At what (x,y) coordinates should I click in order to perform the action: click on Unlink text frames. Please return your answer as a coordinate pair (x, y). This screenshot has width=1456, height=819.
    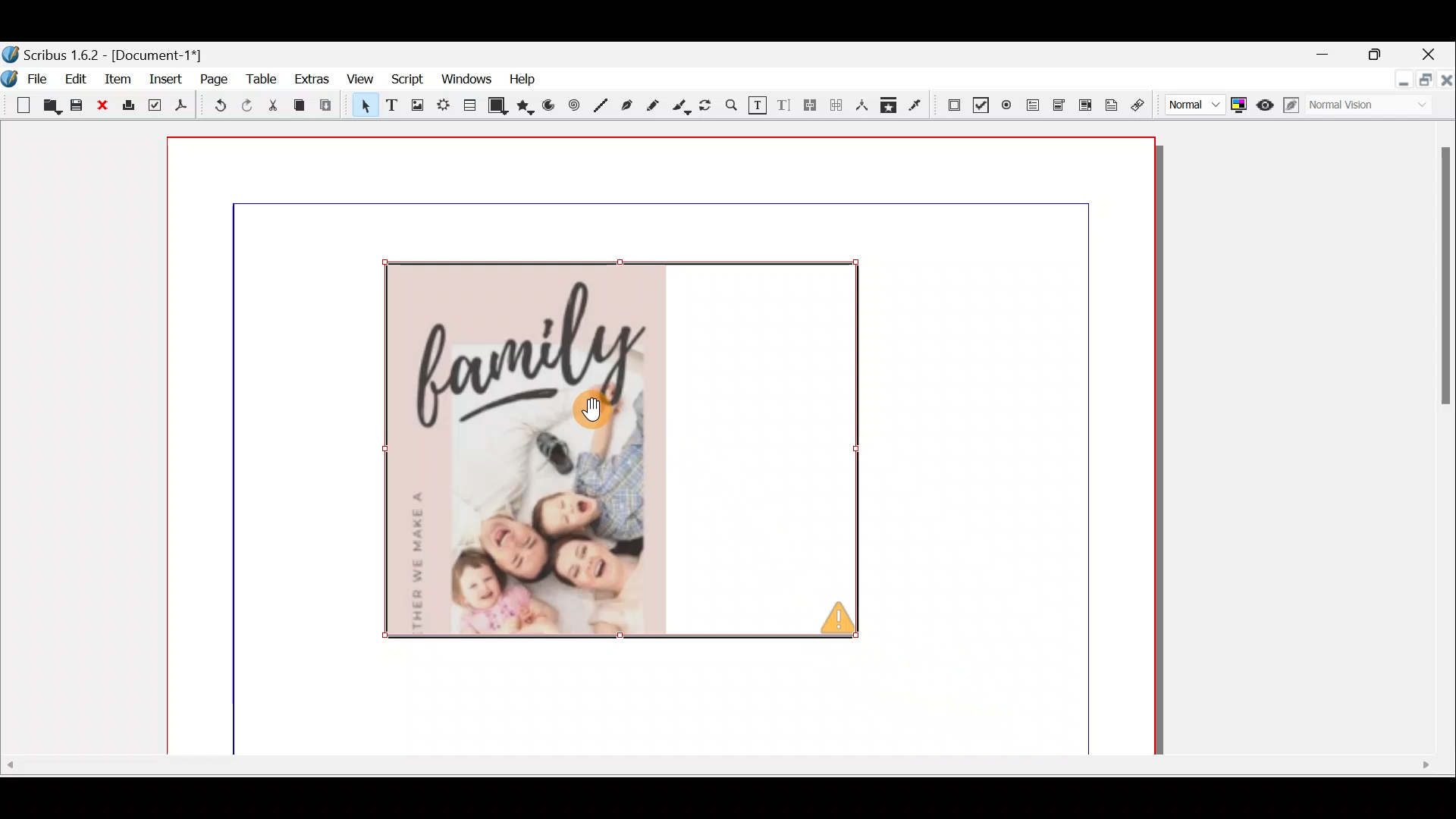
    Looking at the image, I should click on (838, 103).